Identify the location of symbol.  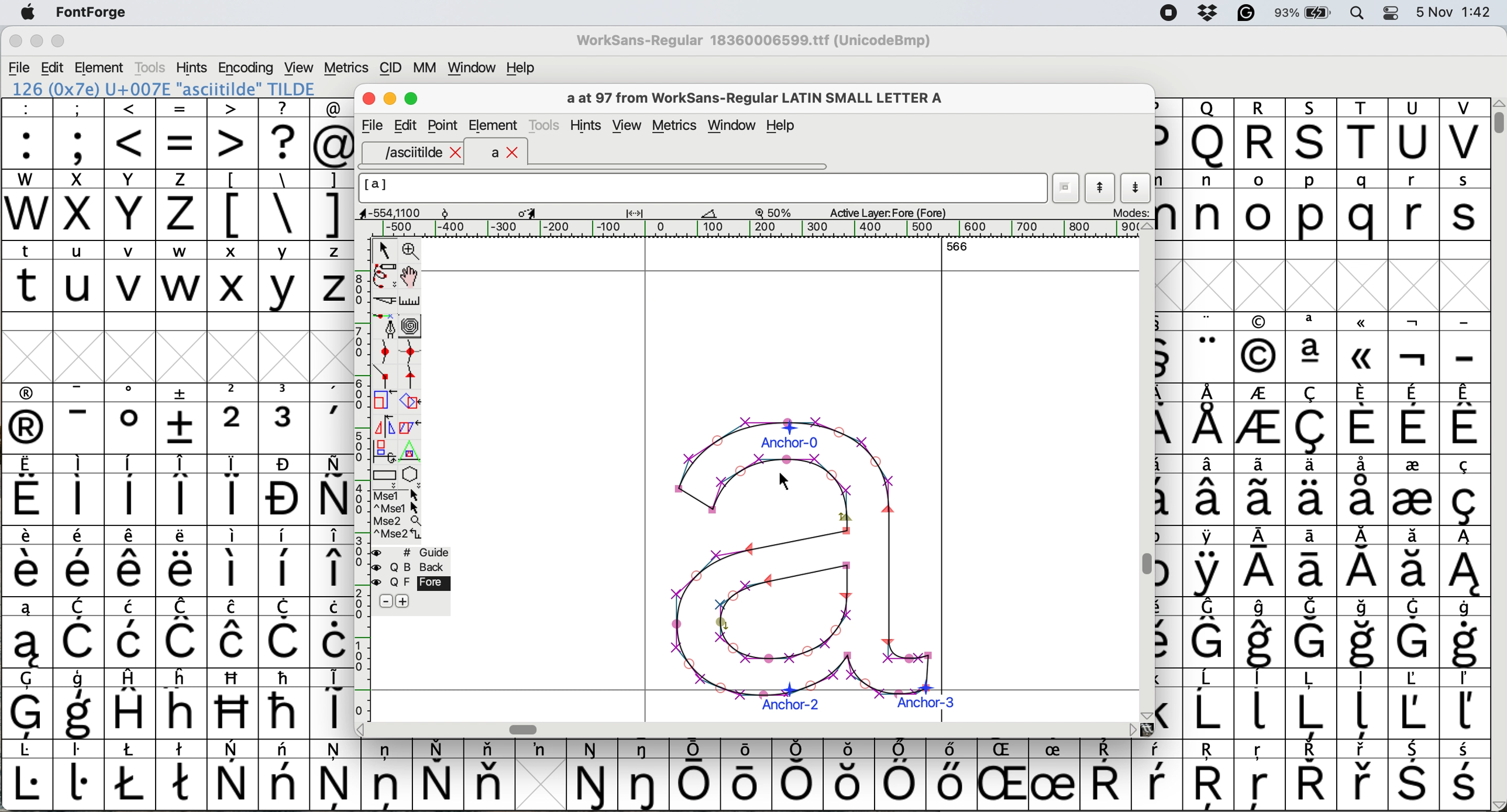
(949, 774).